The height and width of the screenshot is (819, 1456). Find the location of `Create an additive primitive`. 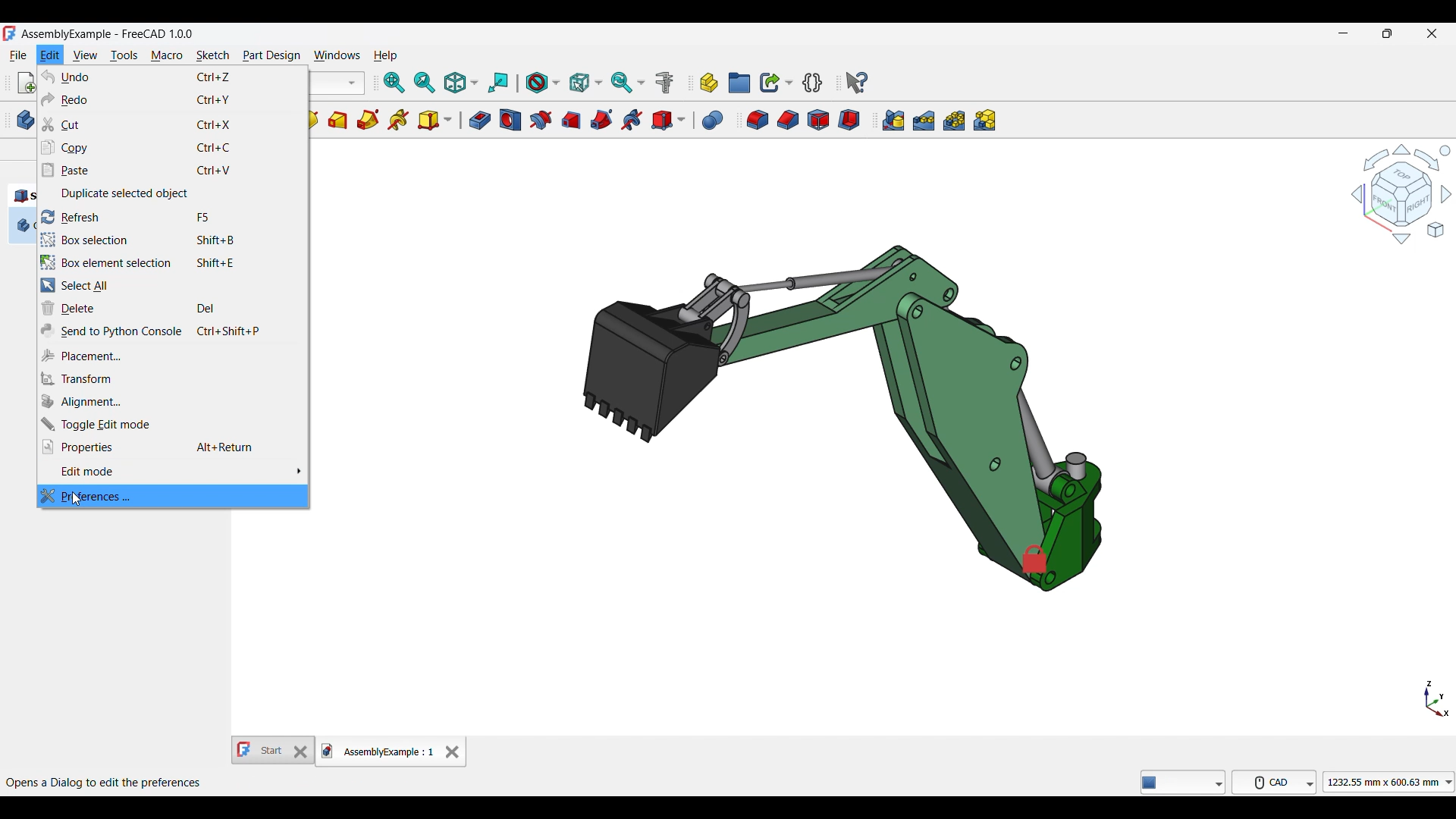

Create an additive primitive is located at coordinates (435, 120).